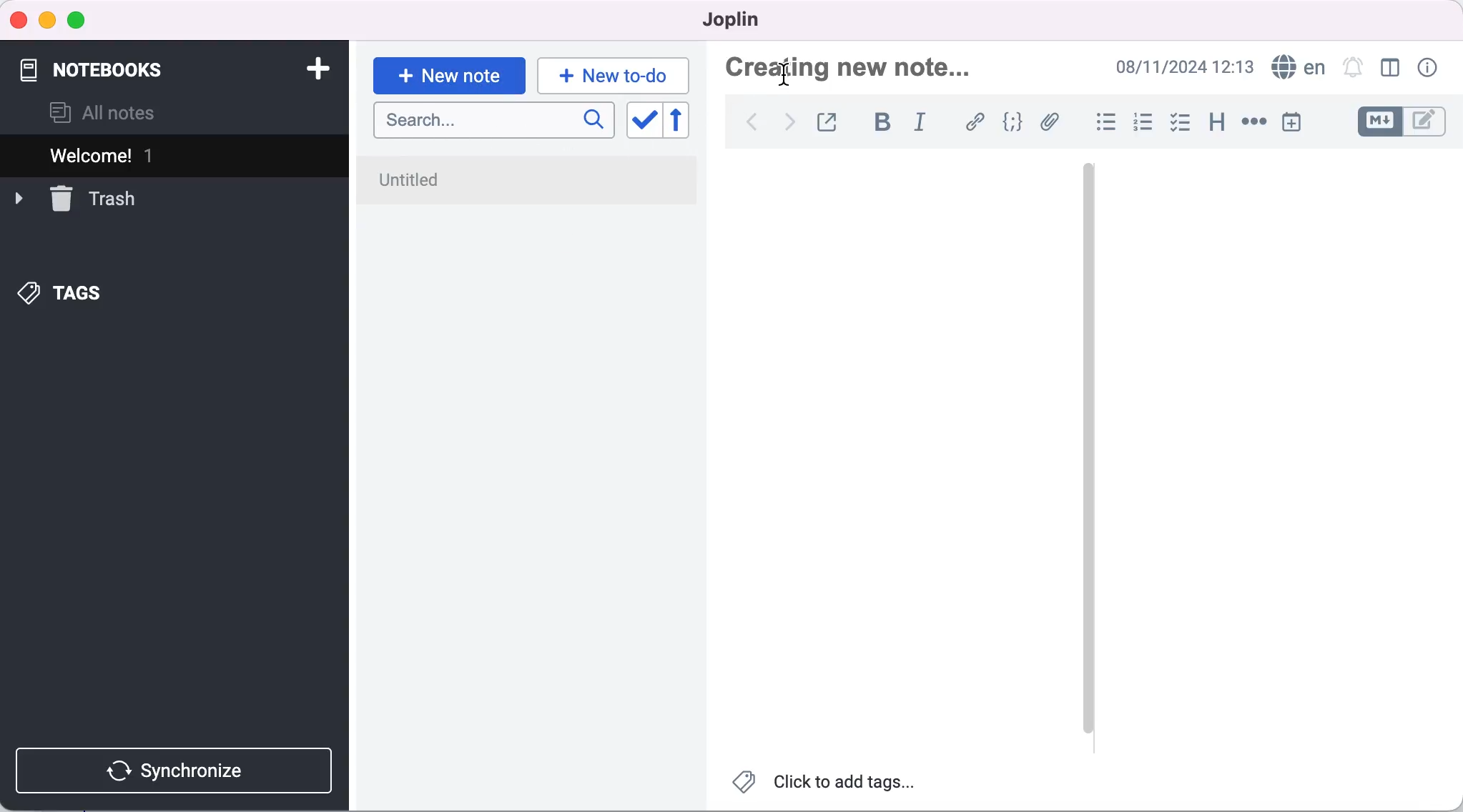  I want to click on blank canvas, so click(897, 454).